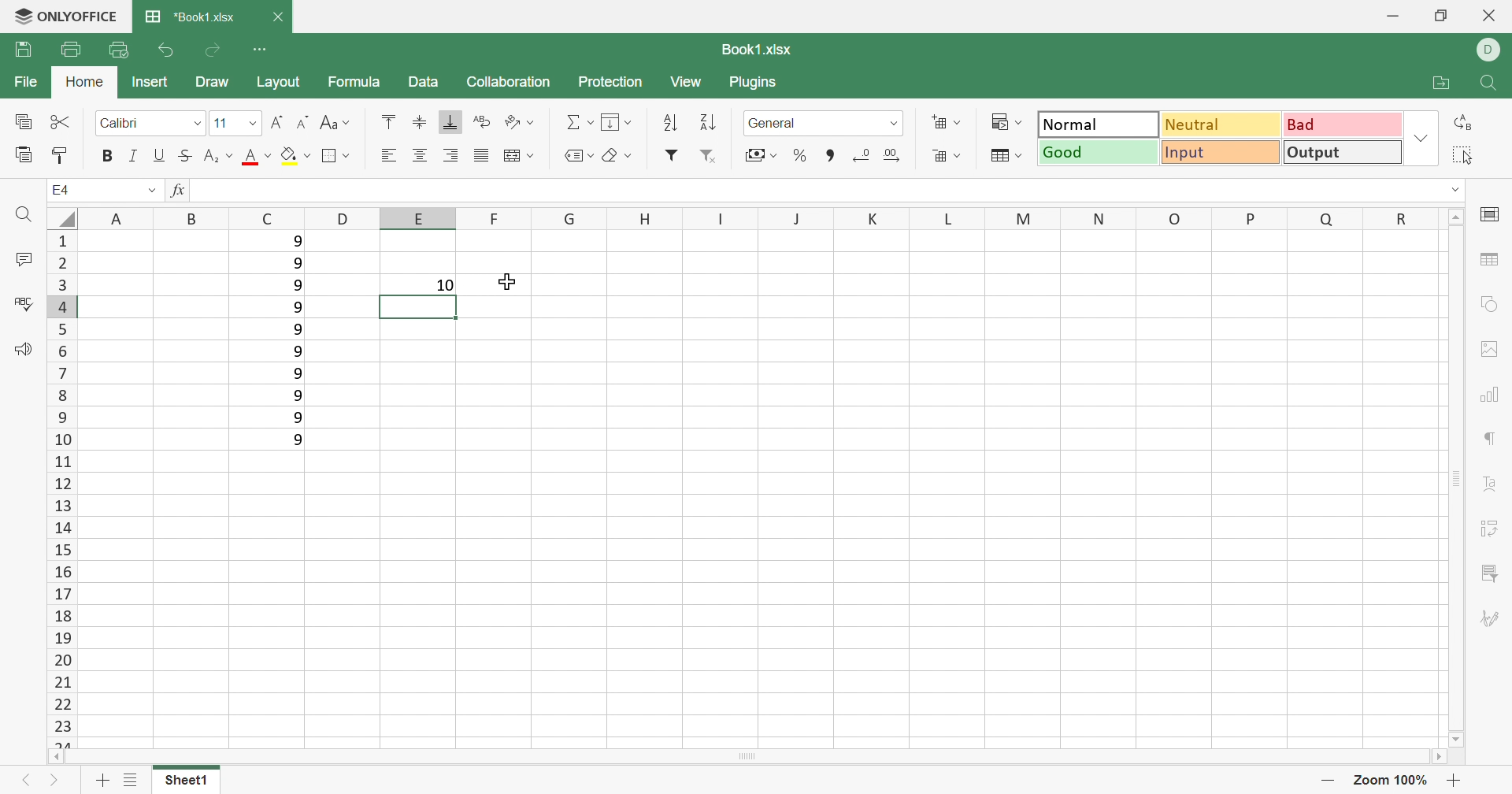 The height and width of the screenshot is (794, 1512). Describe the element at coordinates (1462, 153) in the screenshot. I see `Select all` at that location.